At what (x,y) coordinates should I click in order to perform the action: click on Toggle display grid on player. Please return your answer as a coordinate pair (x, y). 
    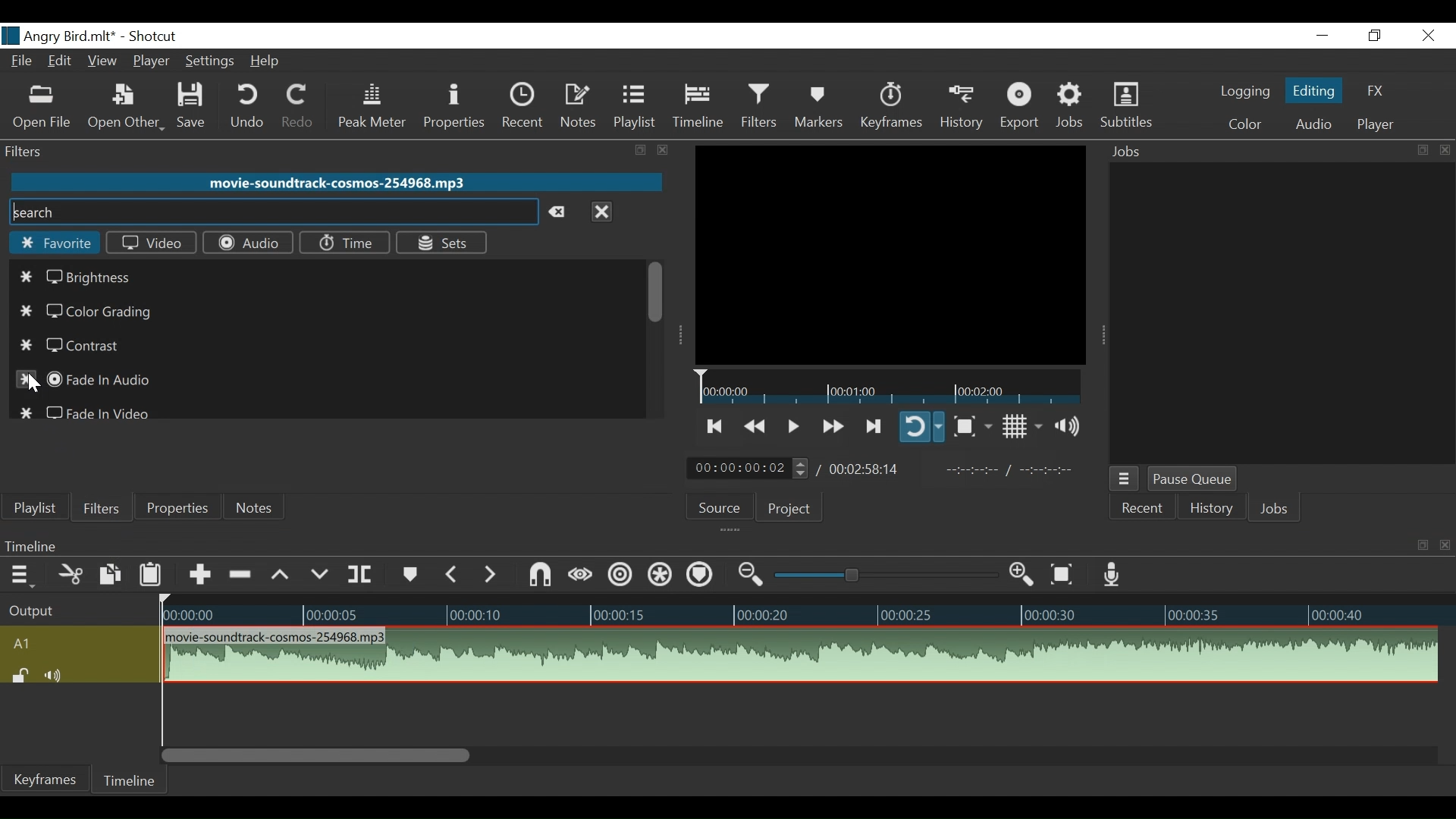
    Looking at the image, I should click on (1021, 428).